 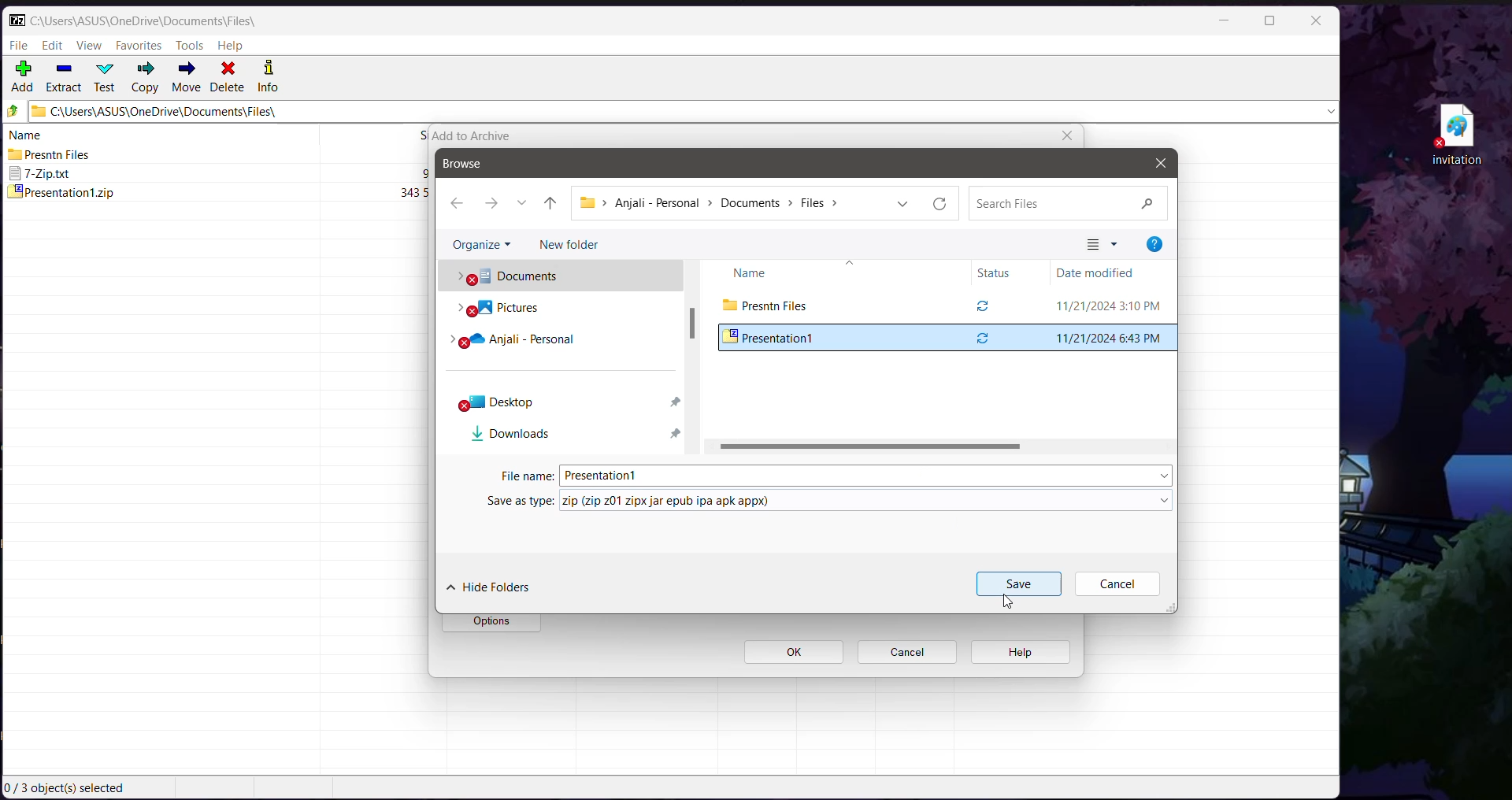 I want to click on presentationt.zip 343592 2024-11-211843 2024-11-20 23:06, so click(x=216, y=194).